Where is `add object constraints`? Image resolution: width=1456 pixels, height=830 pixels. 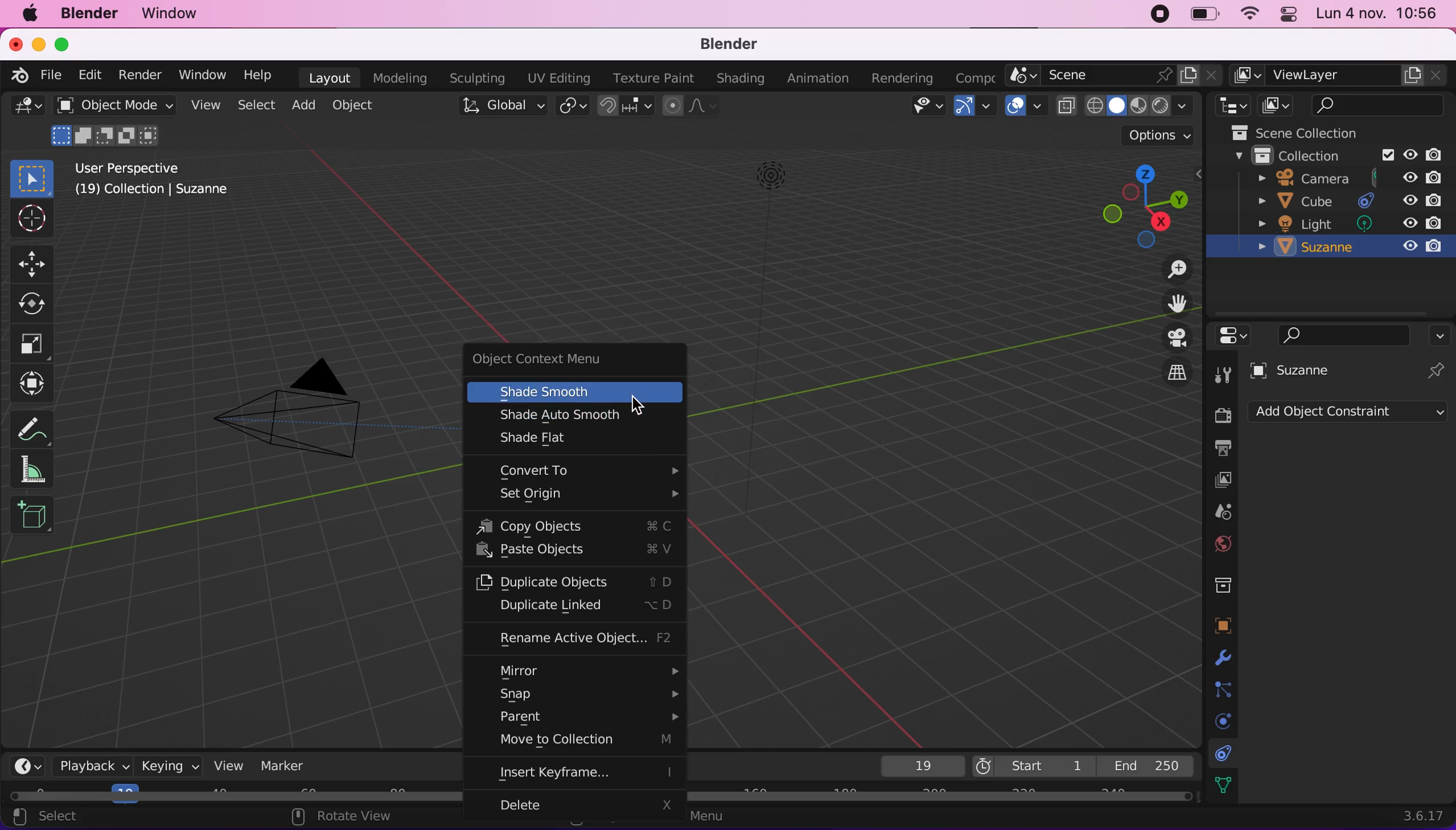 add object constraints is located at coordinates (1348, 414).